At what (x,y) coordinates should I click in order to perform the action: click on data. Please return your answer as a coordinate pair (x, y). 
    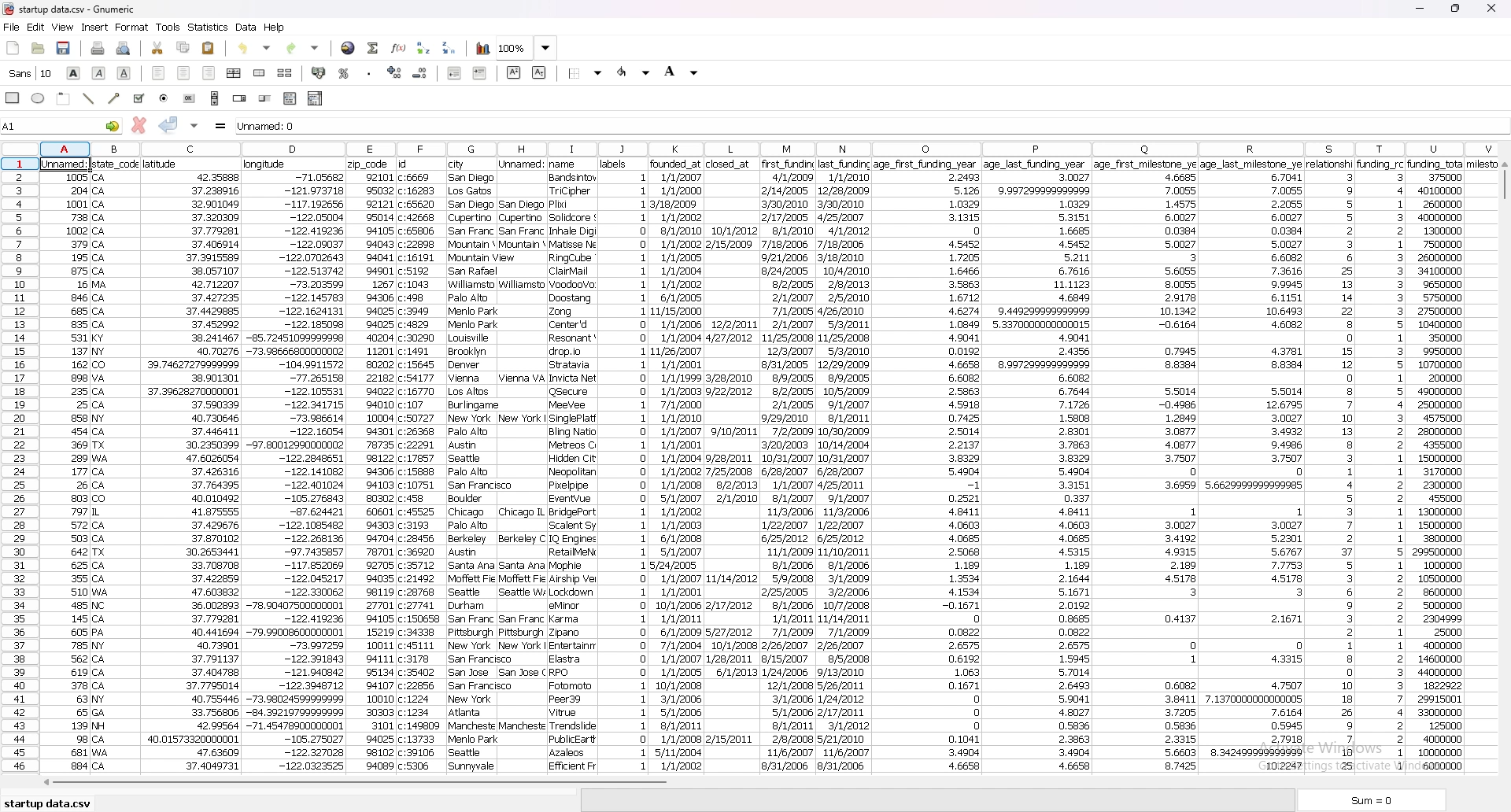
    Looking at the image, I should click on (1250, 463).